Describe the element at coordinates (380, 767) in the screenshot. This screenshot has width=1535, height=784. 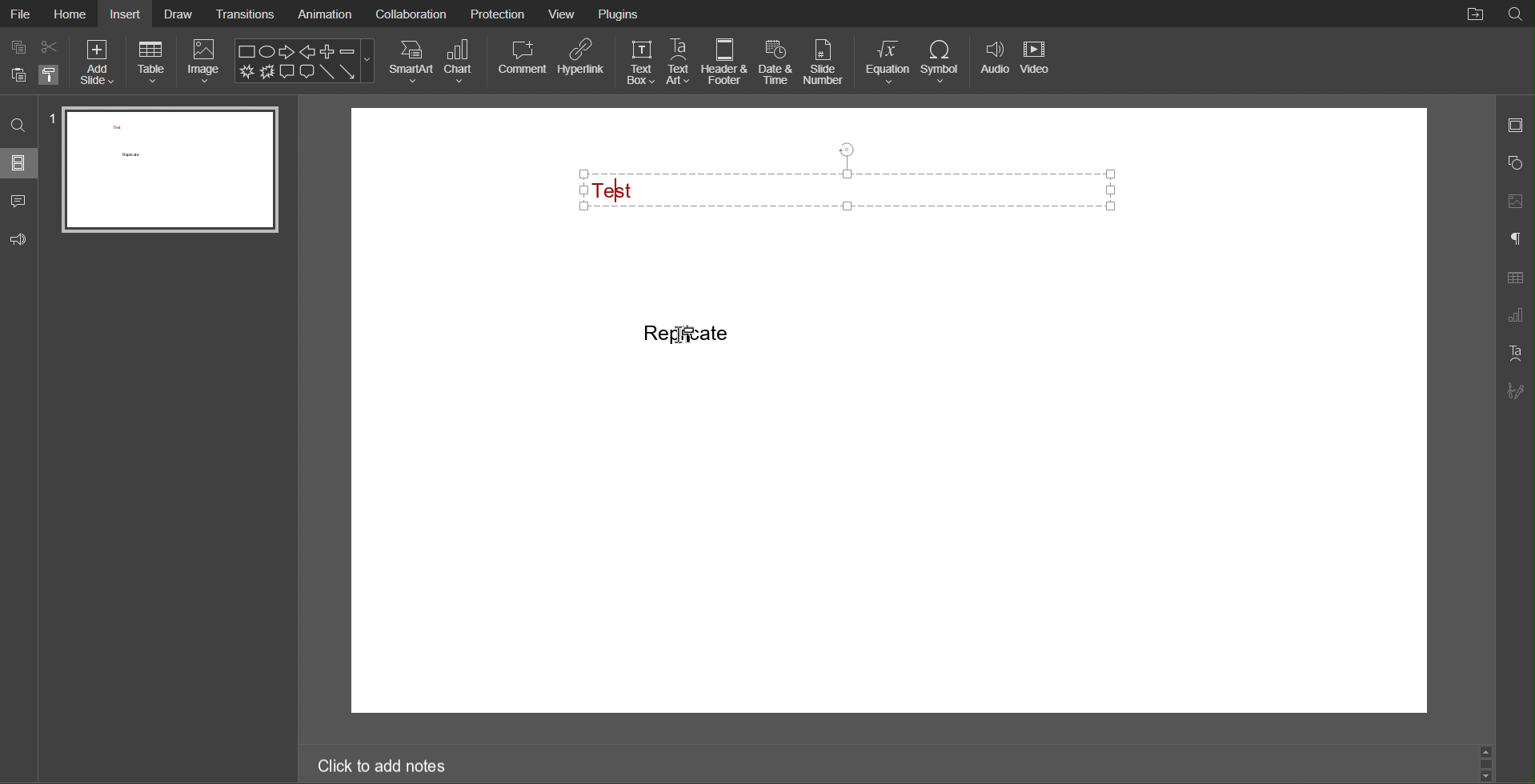
I see `Click to add notes` at that location.